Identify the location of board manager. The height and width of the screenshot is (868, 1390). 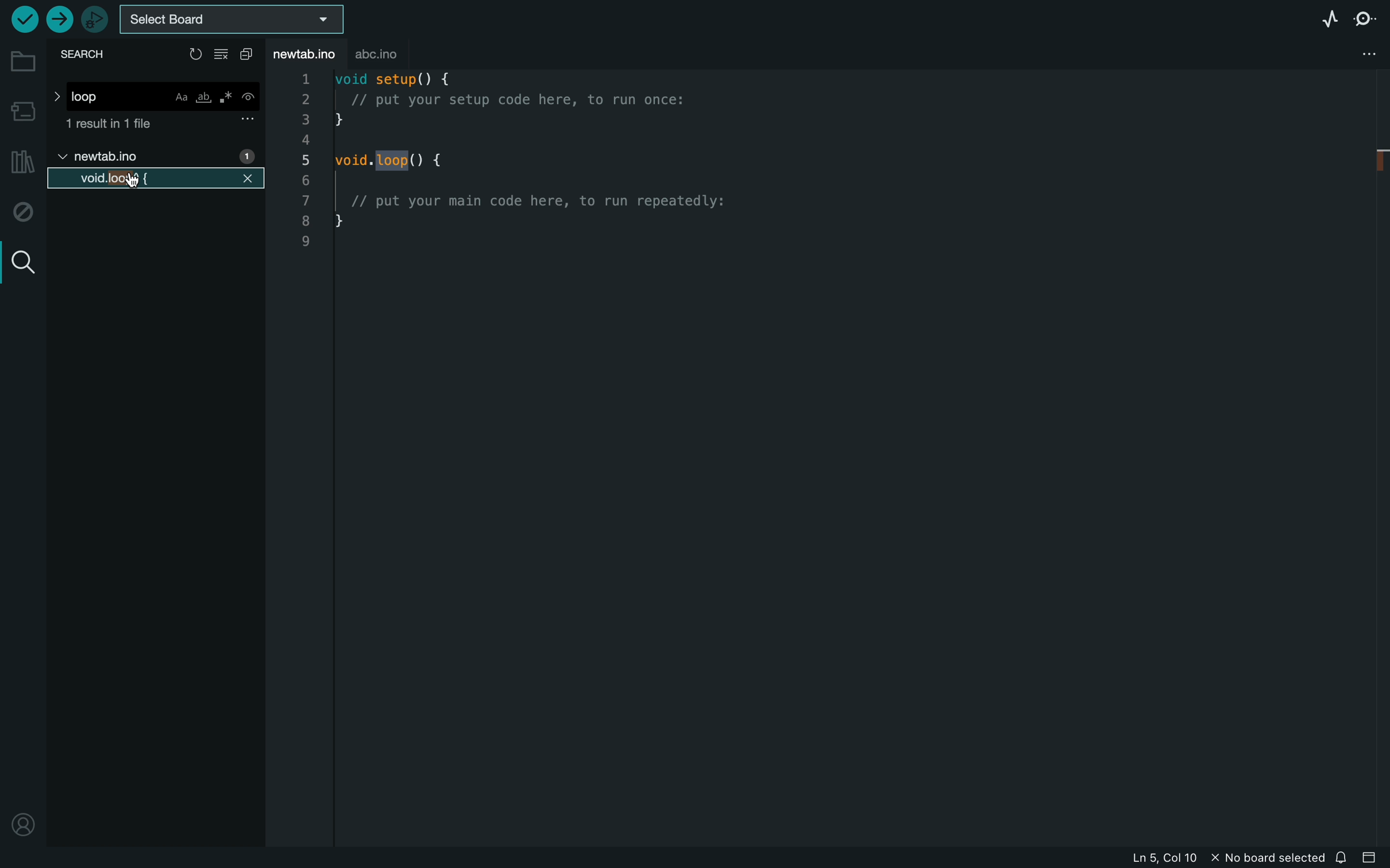
(22, 109).